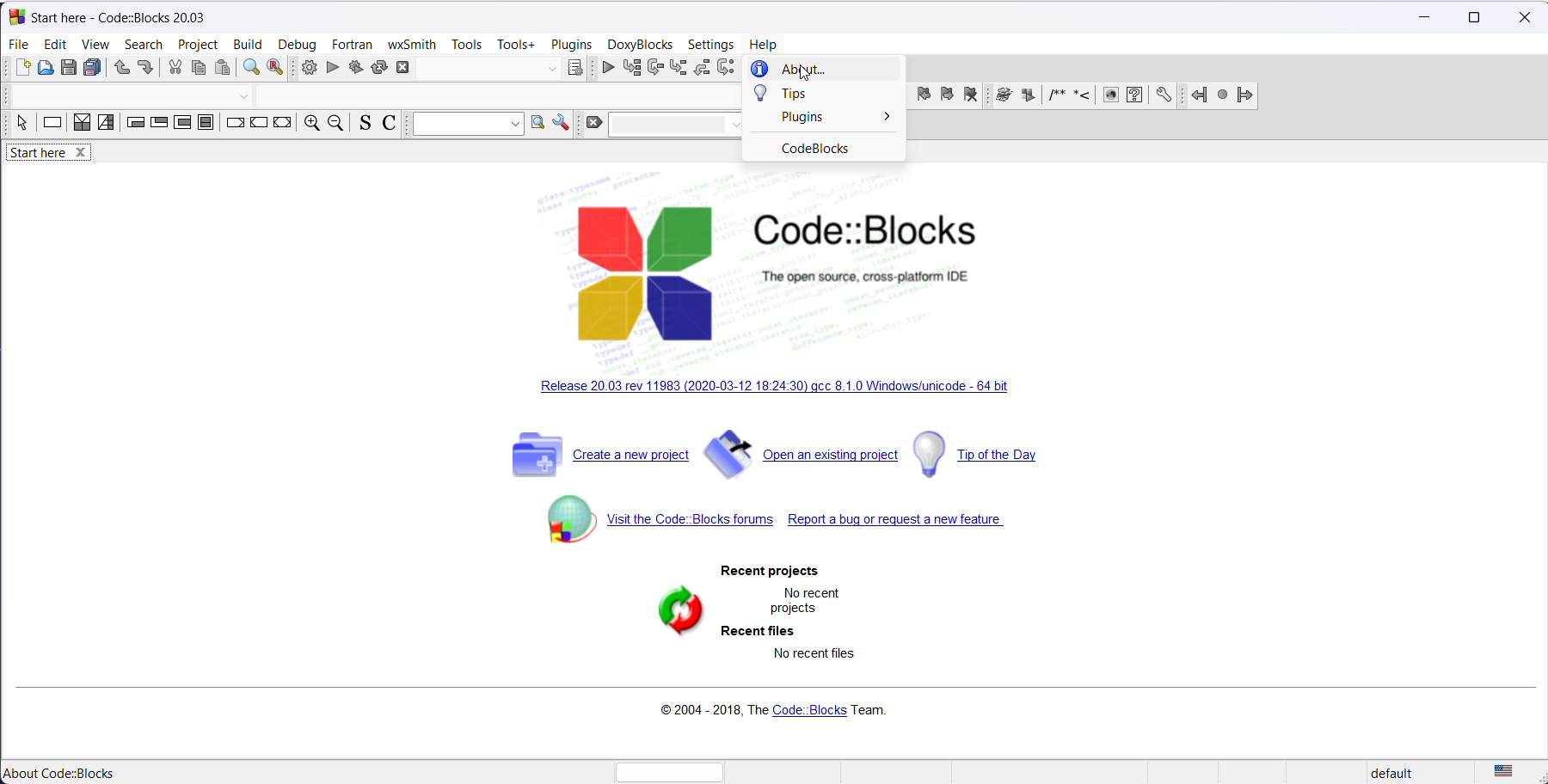  What do you see at coordinates (249, 44) in the screenshot?
I see `build` at bounding box center [249, 44].